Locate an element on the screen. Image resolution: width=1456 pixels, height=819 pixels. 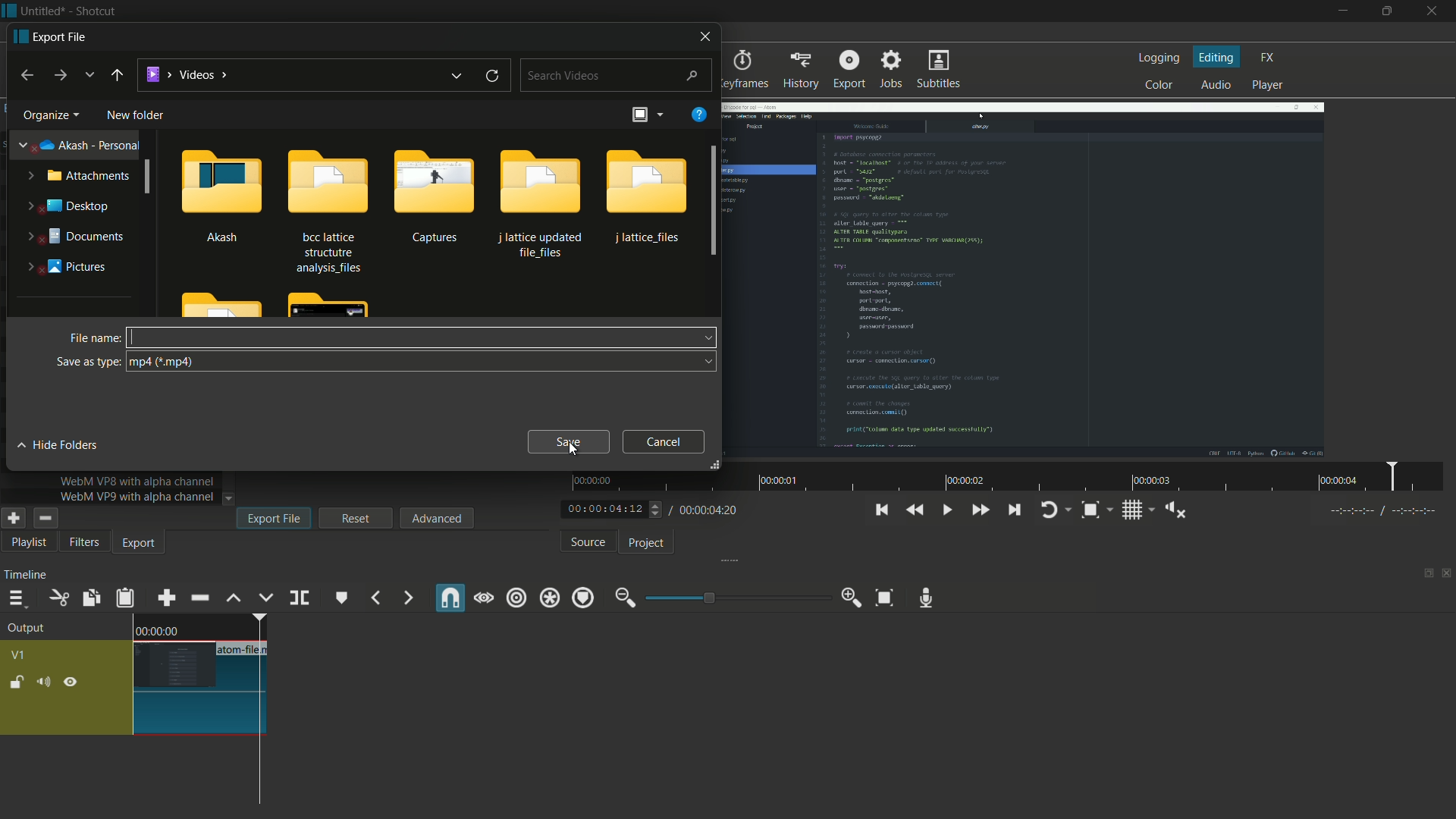
folder-5 is located at coordinates (648, 196).